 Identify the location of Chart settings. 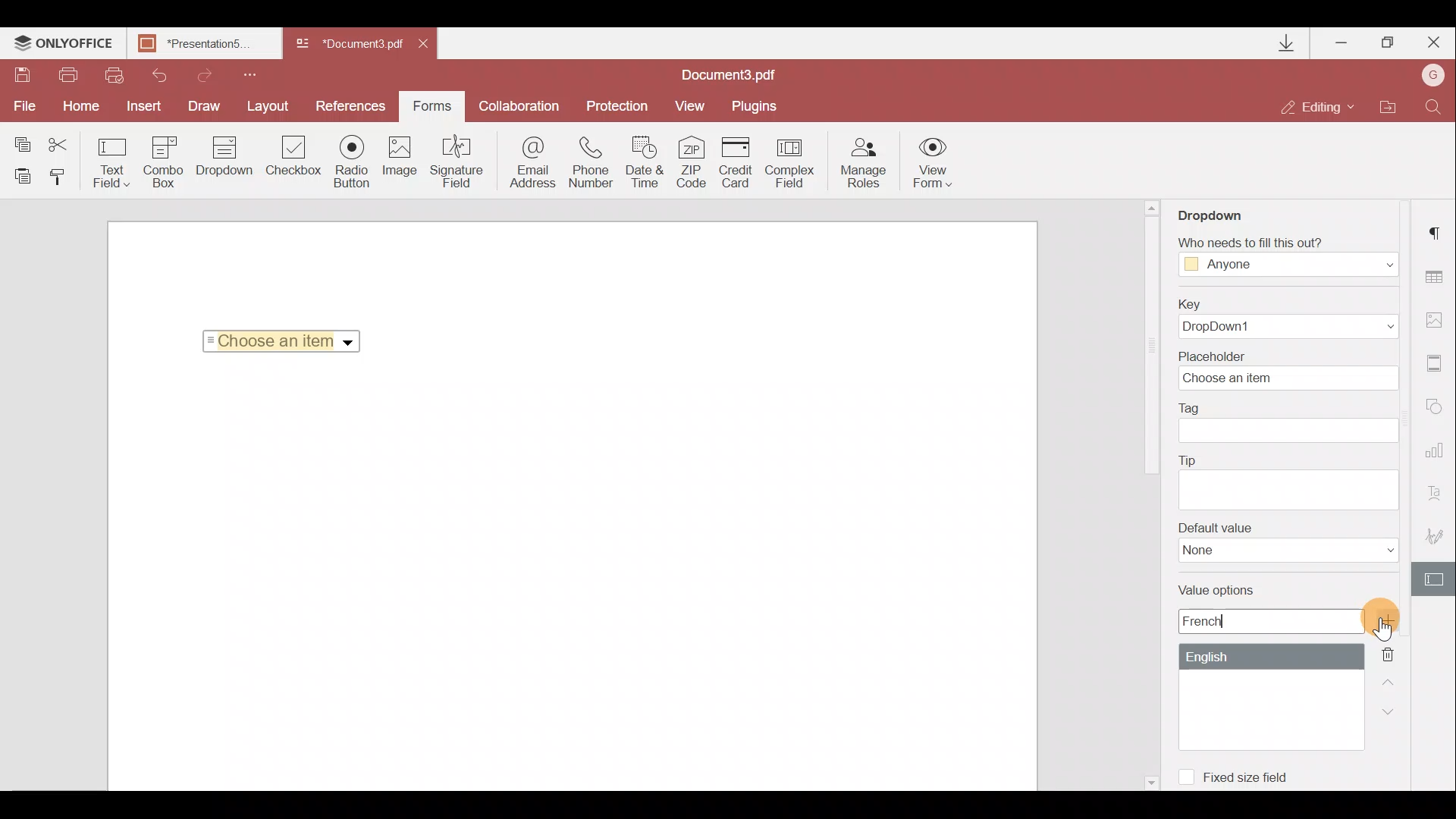
(1437, 457).